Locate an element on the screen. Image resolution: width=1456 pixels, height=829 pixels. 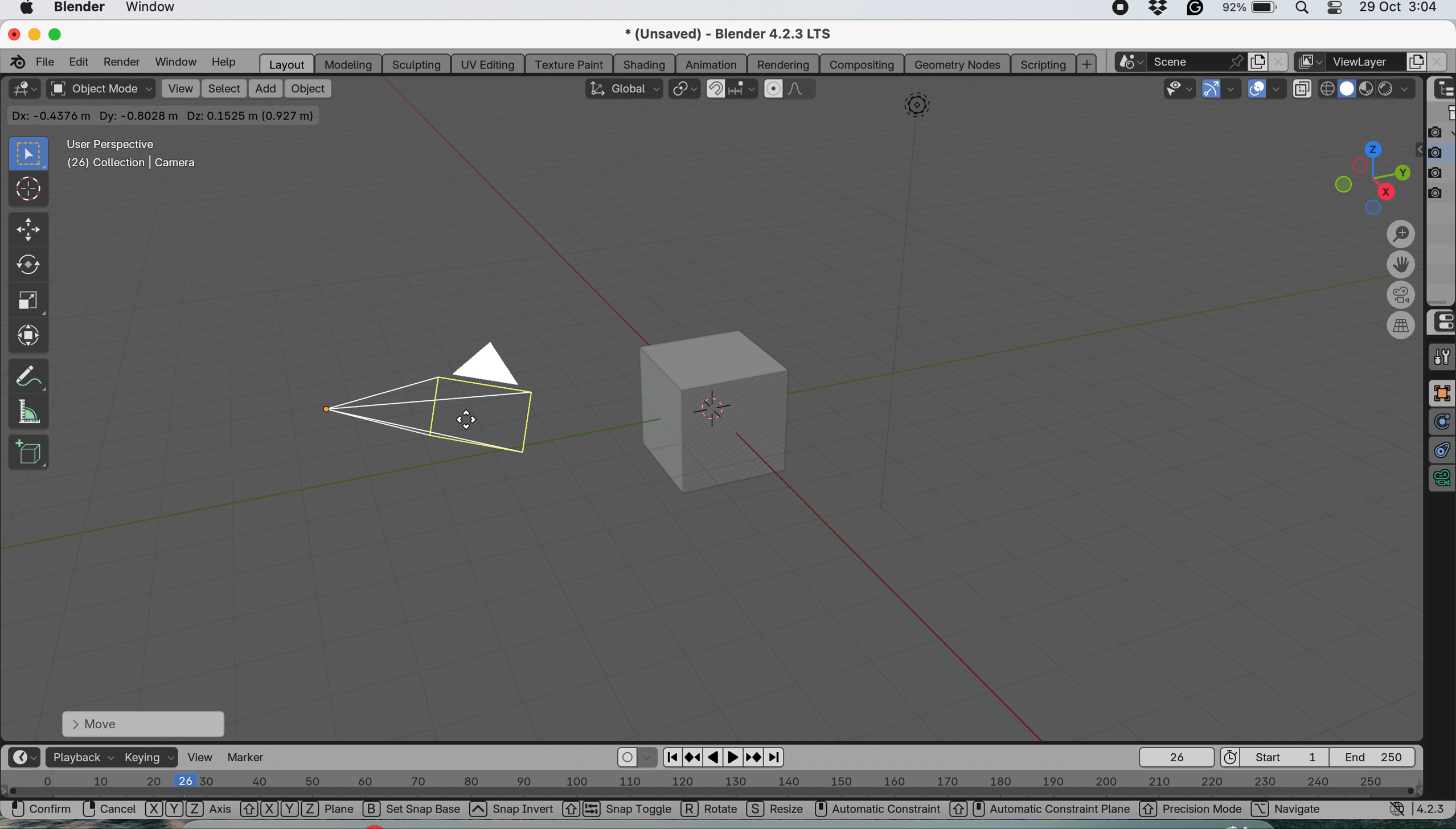
window is located at coordinates (157, 10).